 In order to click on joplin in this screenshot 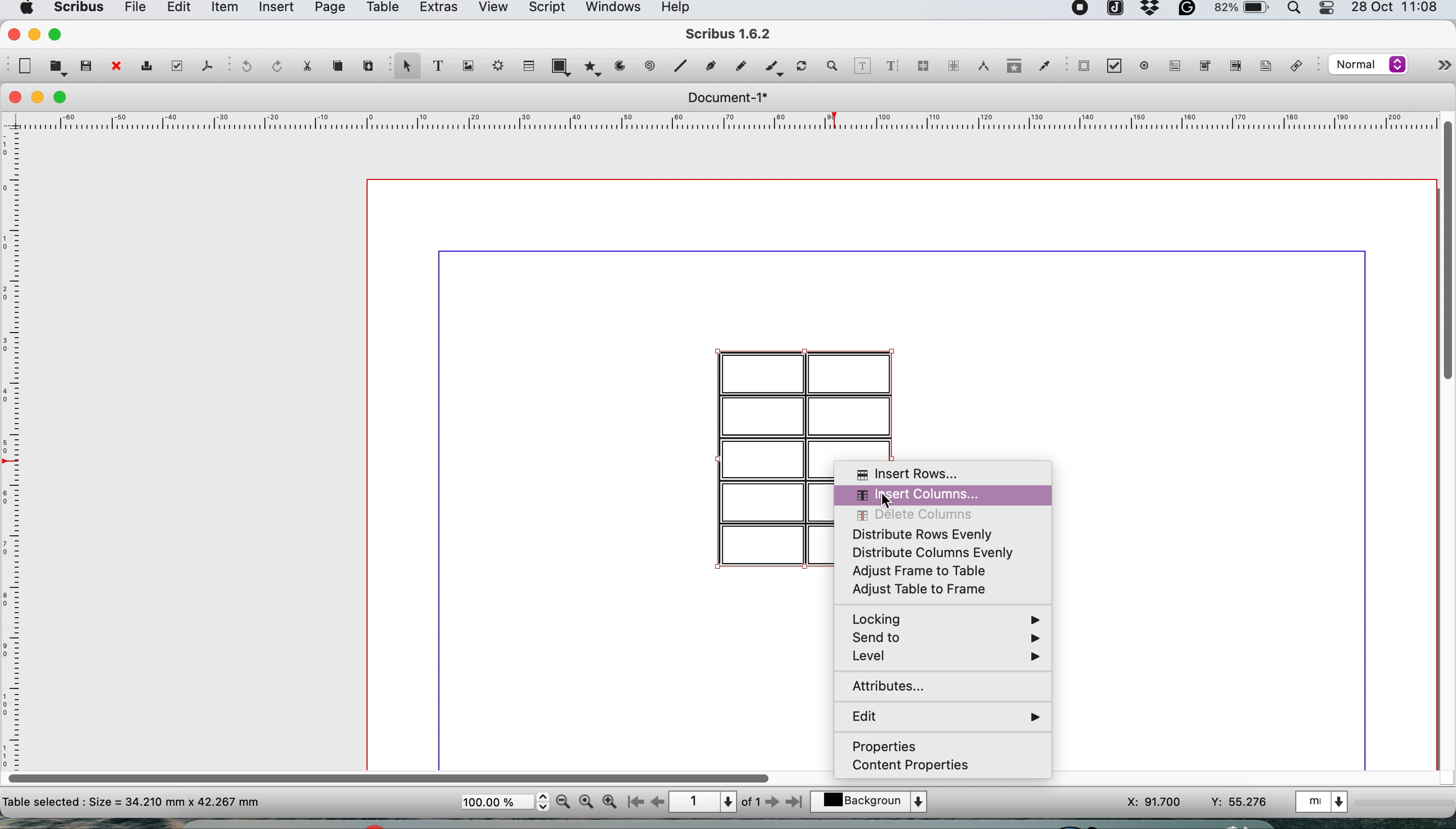, I will do `click(1114, 10)`.